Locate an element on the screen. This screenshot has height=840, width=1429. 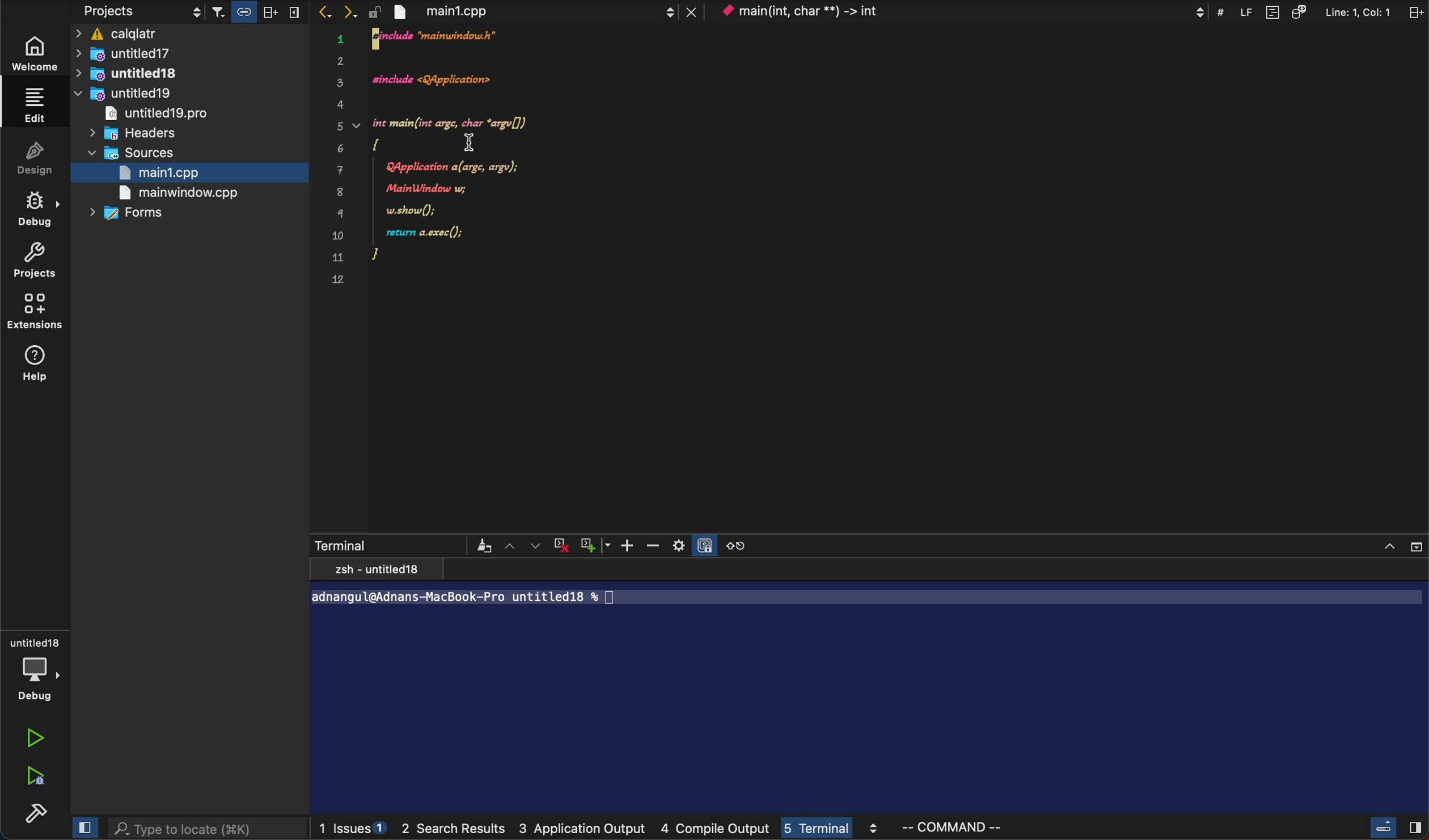
search bar is located at coordinates (197, 830).